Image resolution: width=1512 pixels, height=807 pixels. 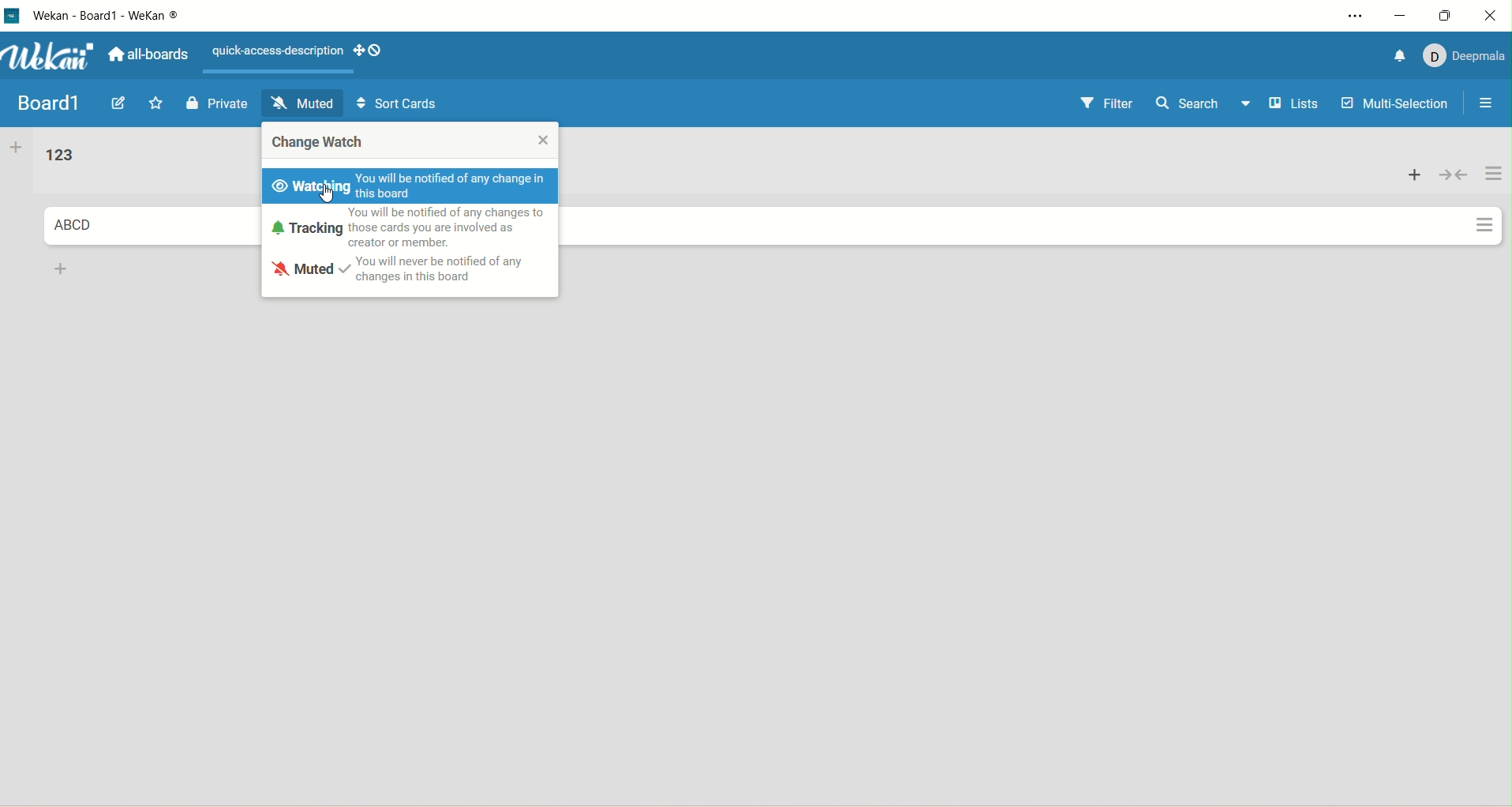 I want to click on all boards, so click(x=147, y=54).